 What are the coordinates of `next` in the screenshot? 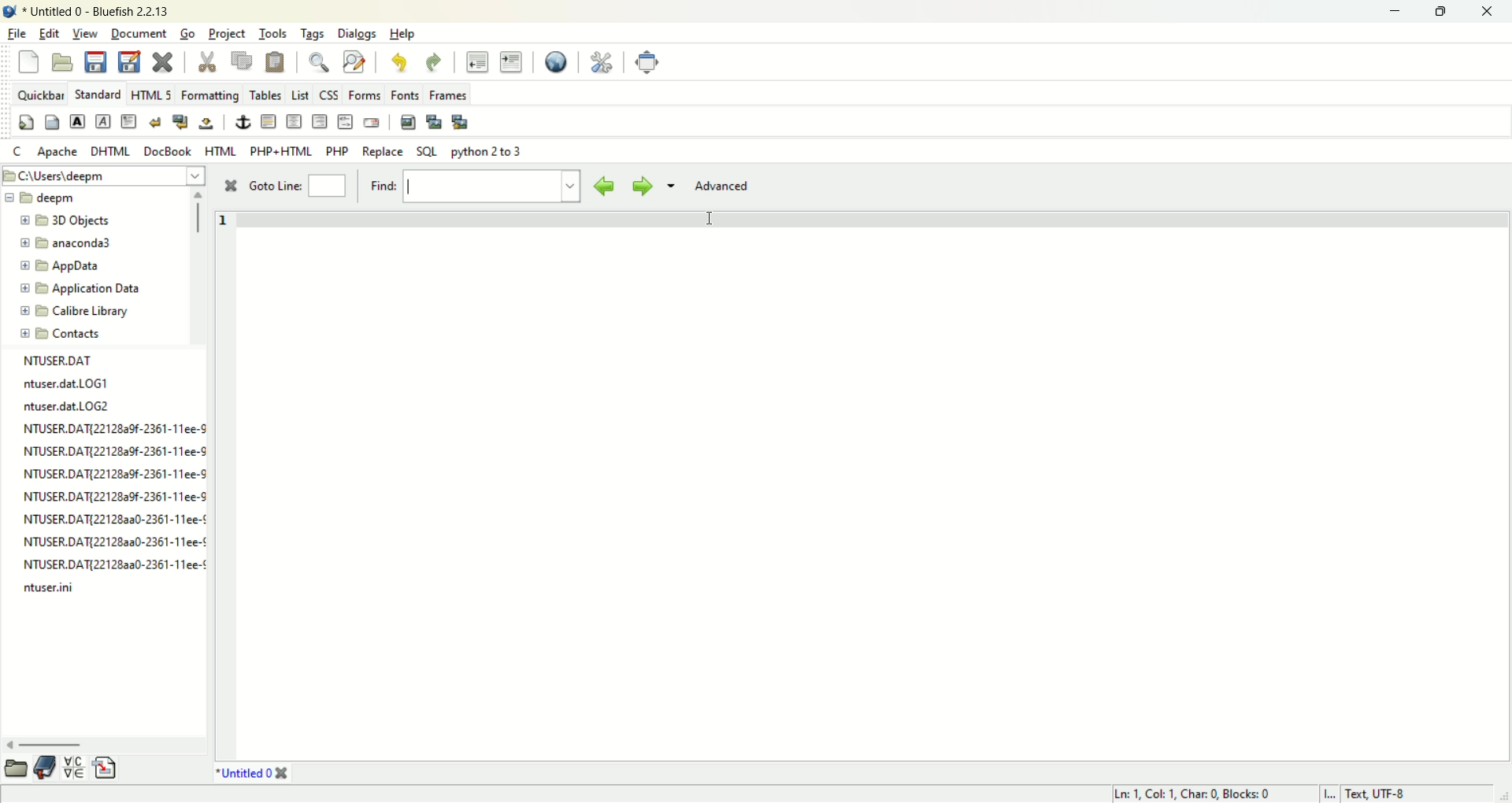 It's located at (639, 185).